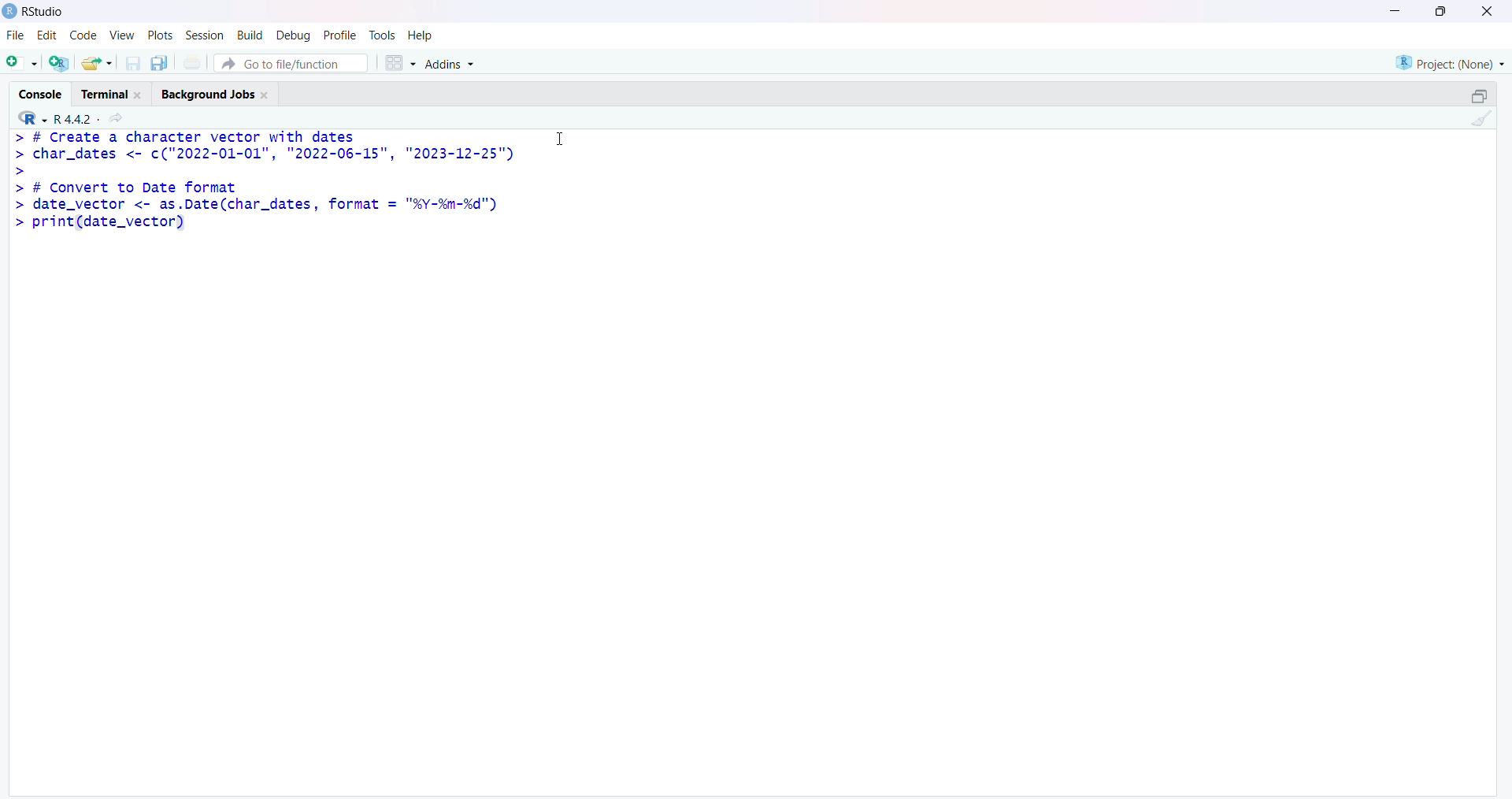 This screenshot has width=1512, height=799. Describe the element at coordinates (113, 91) in the screenshot. I see `Terminal` at that location.